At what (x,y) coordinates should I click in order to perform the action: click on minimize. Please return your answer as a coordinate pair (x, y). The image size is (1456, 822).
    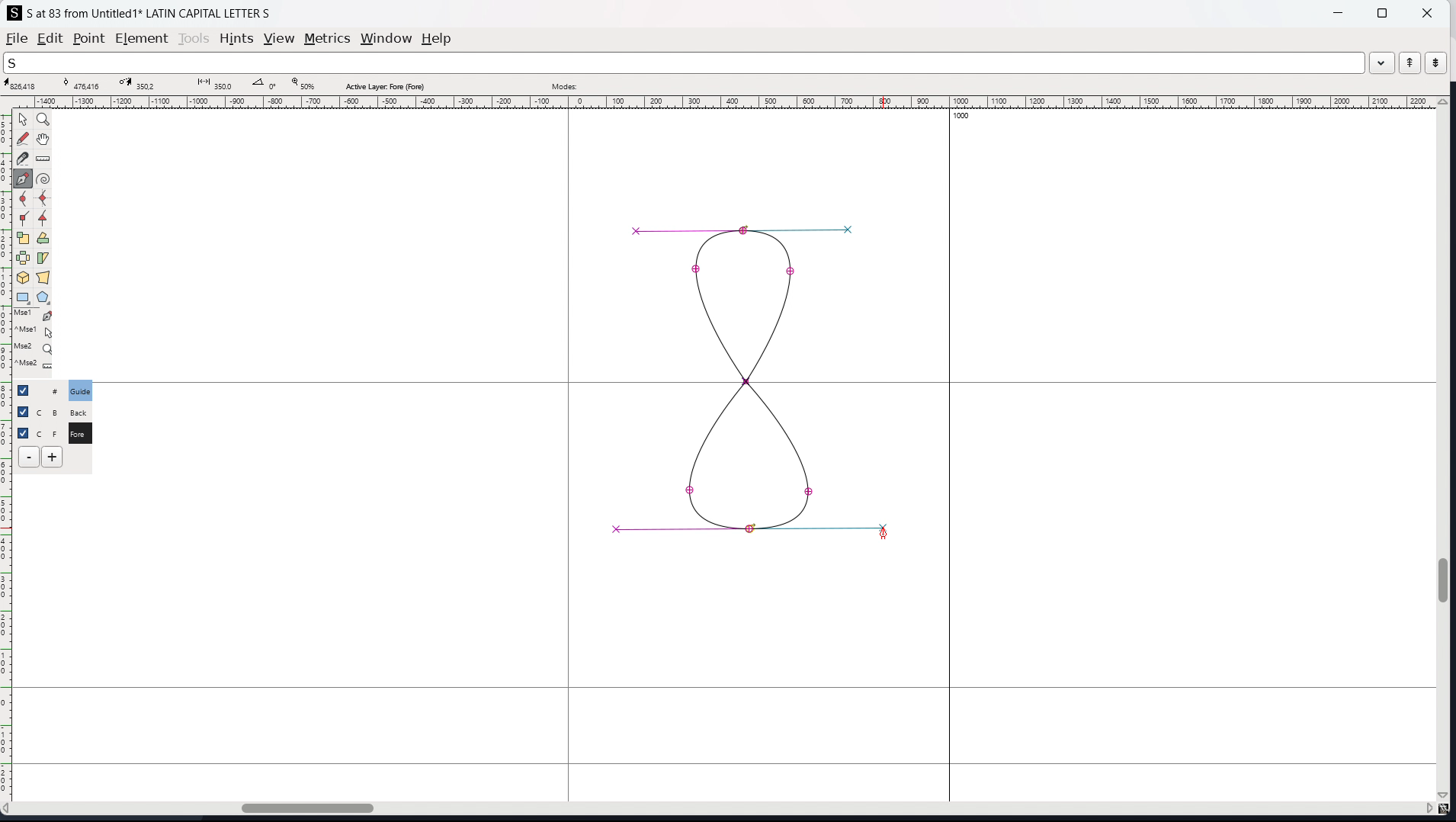
    Looking at the image, I should click on (1340, 11).